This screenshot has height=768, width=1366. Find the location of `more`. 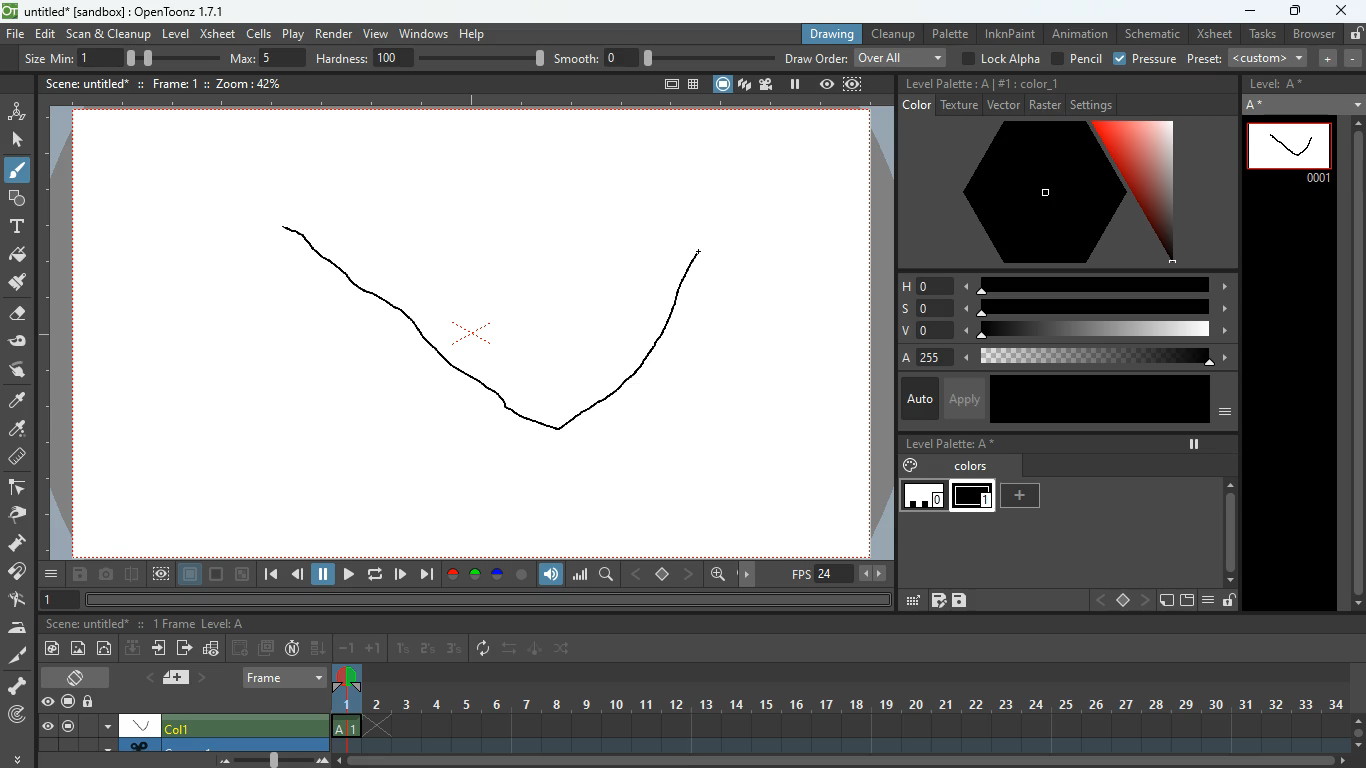

more is located at coordinates (20, 756).